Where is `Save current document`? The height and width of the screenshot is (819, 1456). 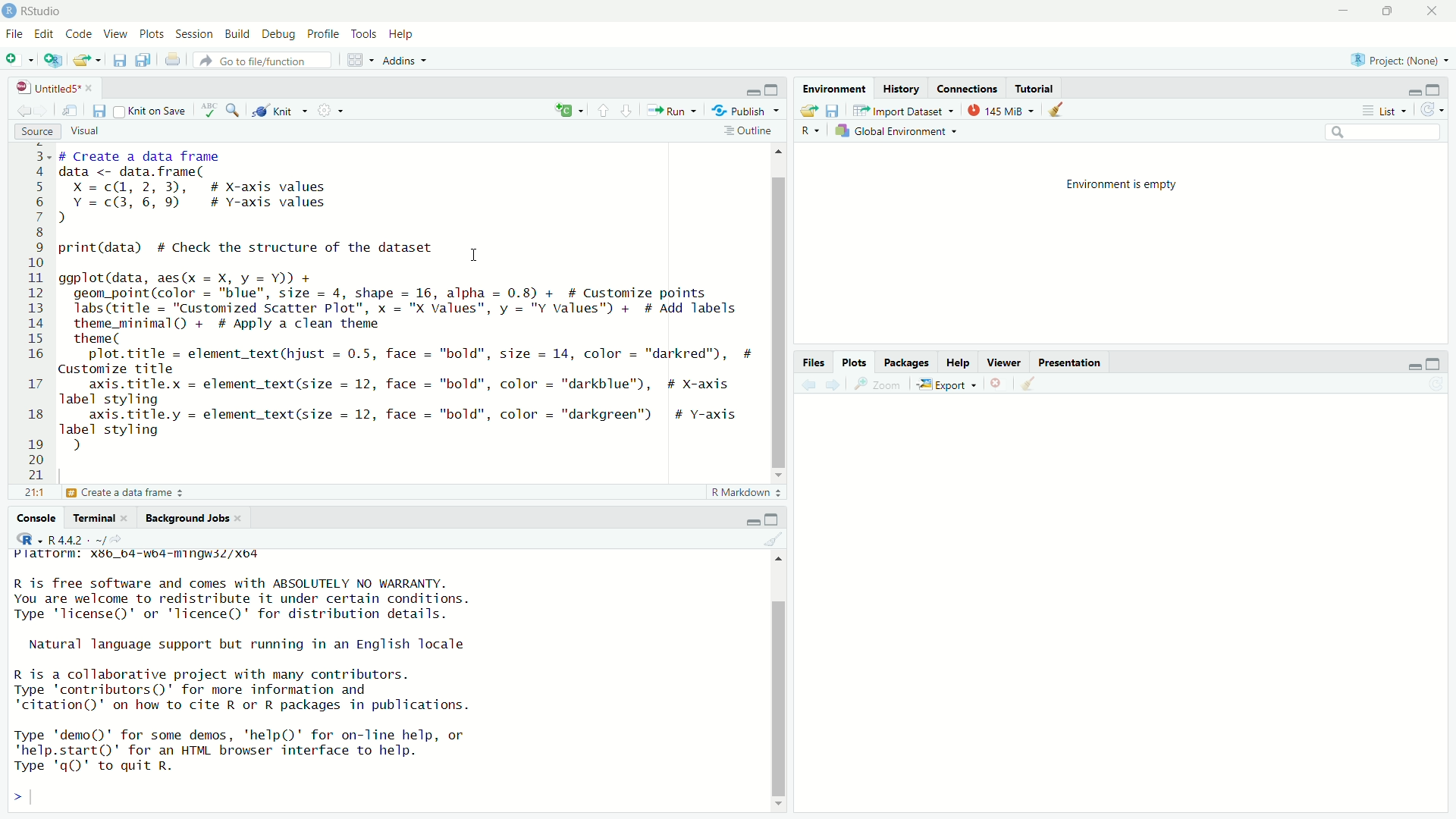
Save current document is located at coordinates (120, 60).